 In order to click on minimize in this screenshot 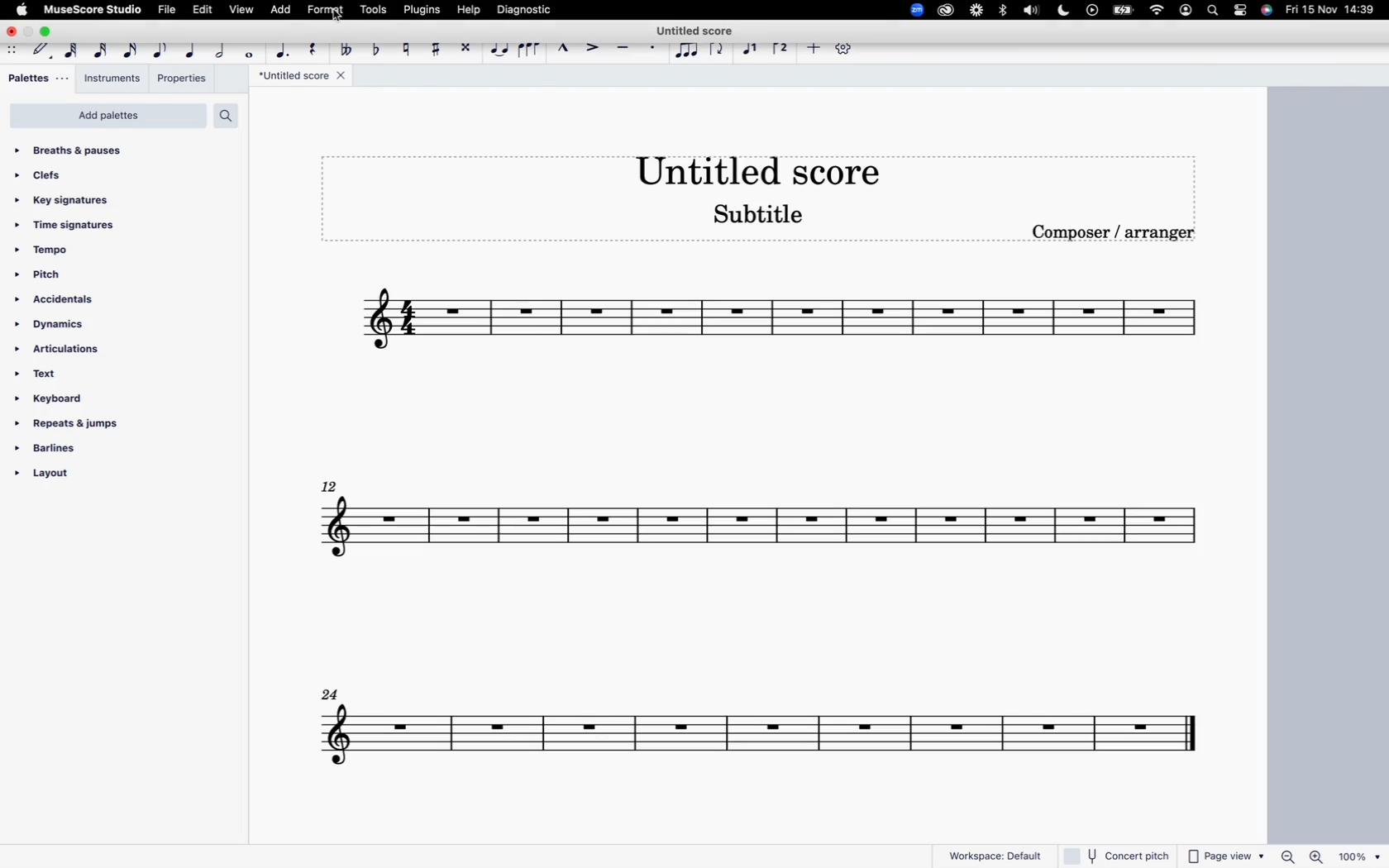, I will do `click(29, 32)`.